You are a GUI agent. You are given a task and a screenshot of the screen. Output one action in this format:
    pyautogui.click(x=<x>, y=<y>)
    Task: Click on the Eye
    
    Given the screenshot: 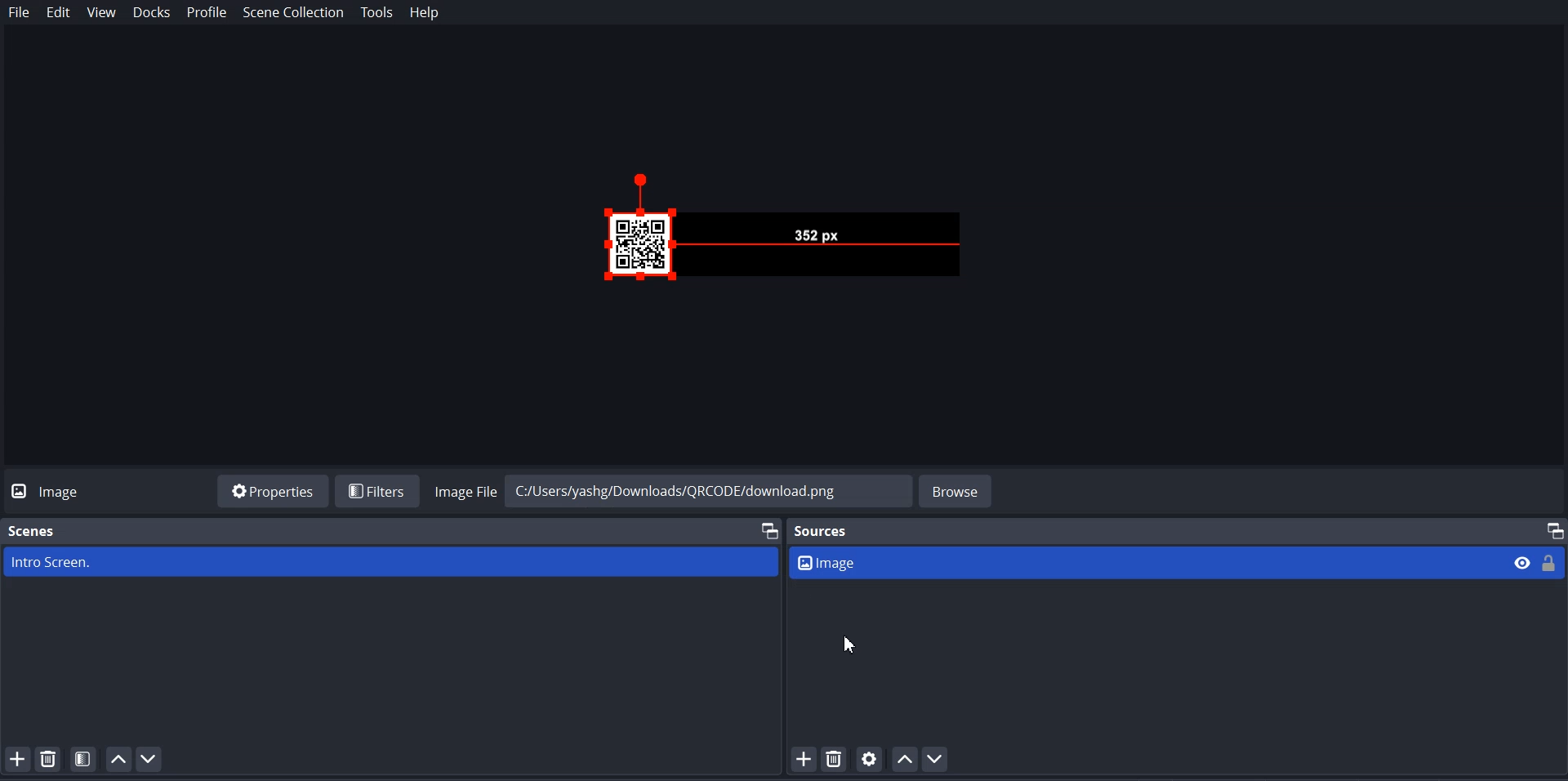 What is the action you would take?
    pyautogui.click(x=1523, y=562)
    